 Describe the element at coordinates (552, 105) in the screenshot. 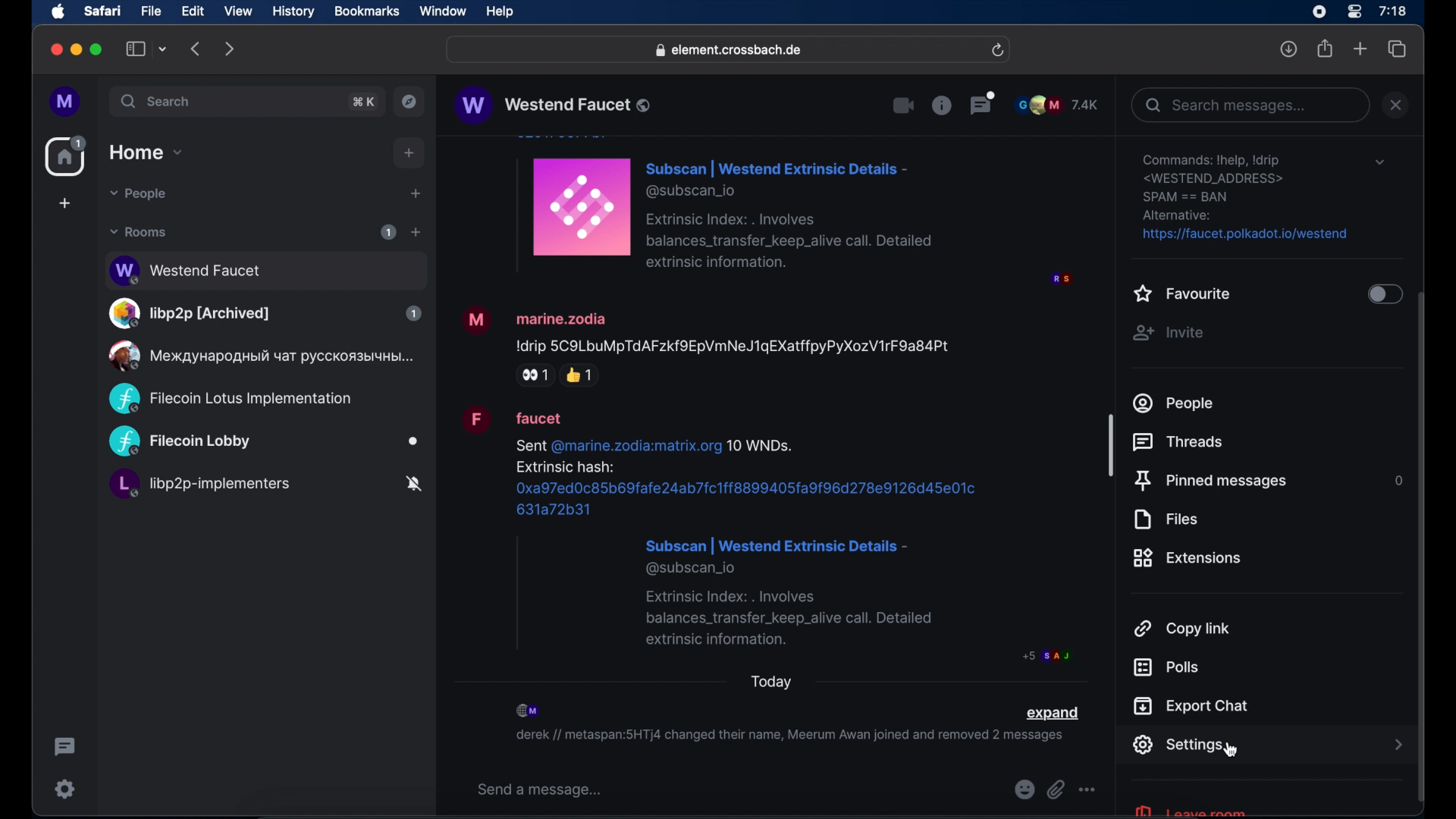

I see `room name` at that location.